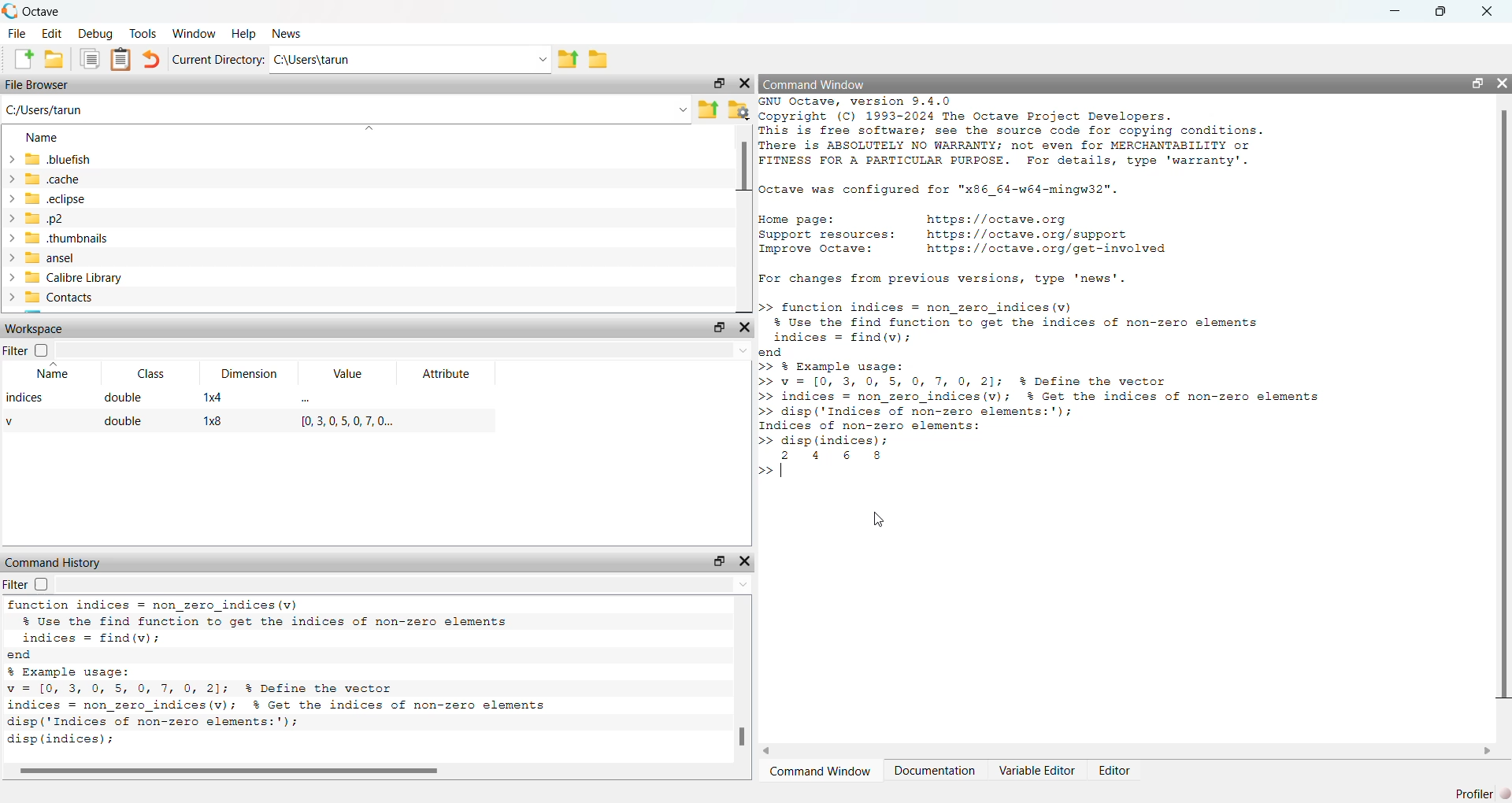  What do you see at coordinates (450, 376) in the screenshot?
I see `Attribute` at bounding box center [450, 376].